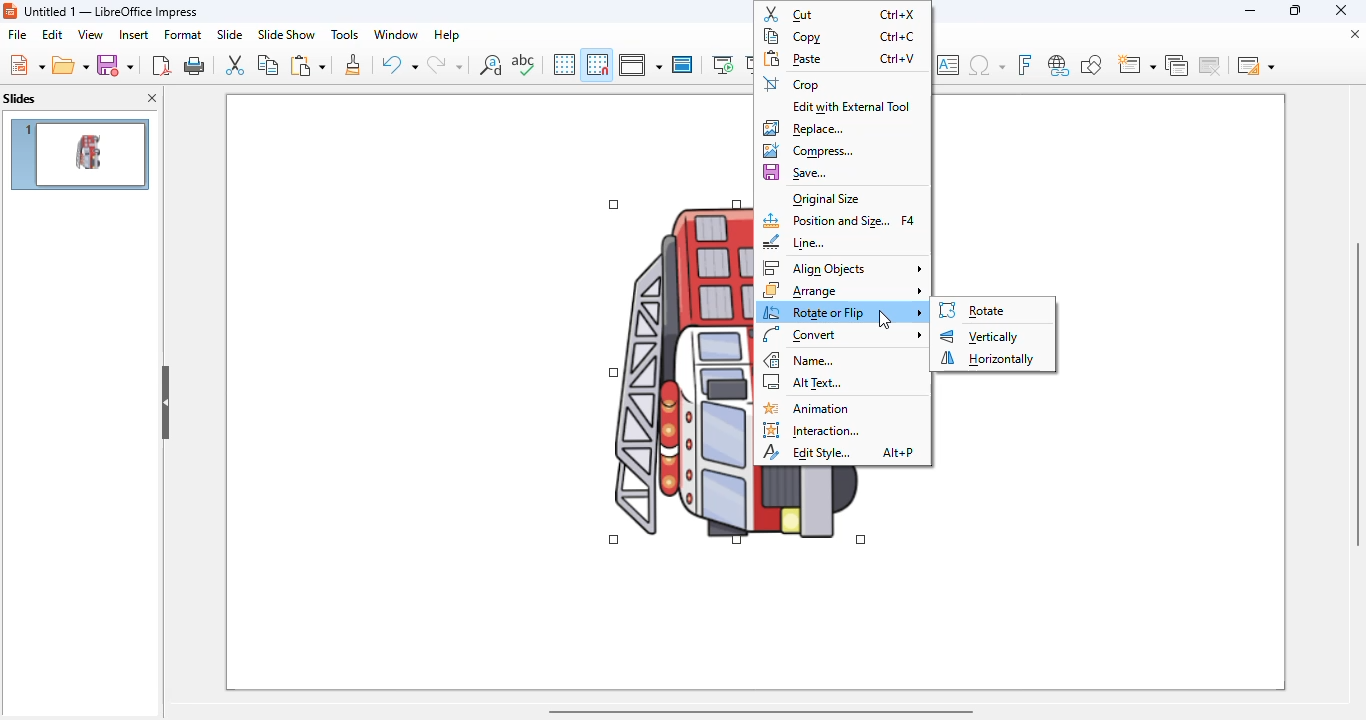 The width and height of the screenshot is (1366, 720). What do you see at coordinates (444, 64) in the screenshot?
I see `redo` at bounding box center [444, 64].